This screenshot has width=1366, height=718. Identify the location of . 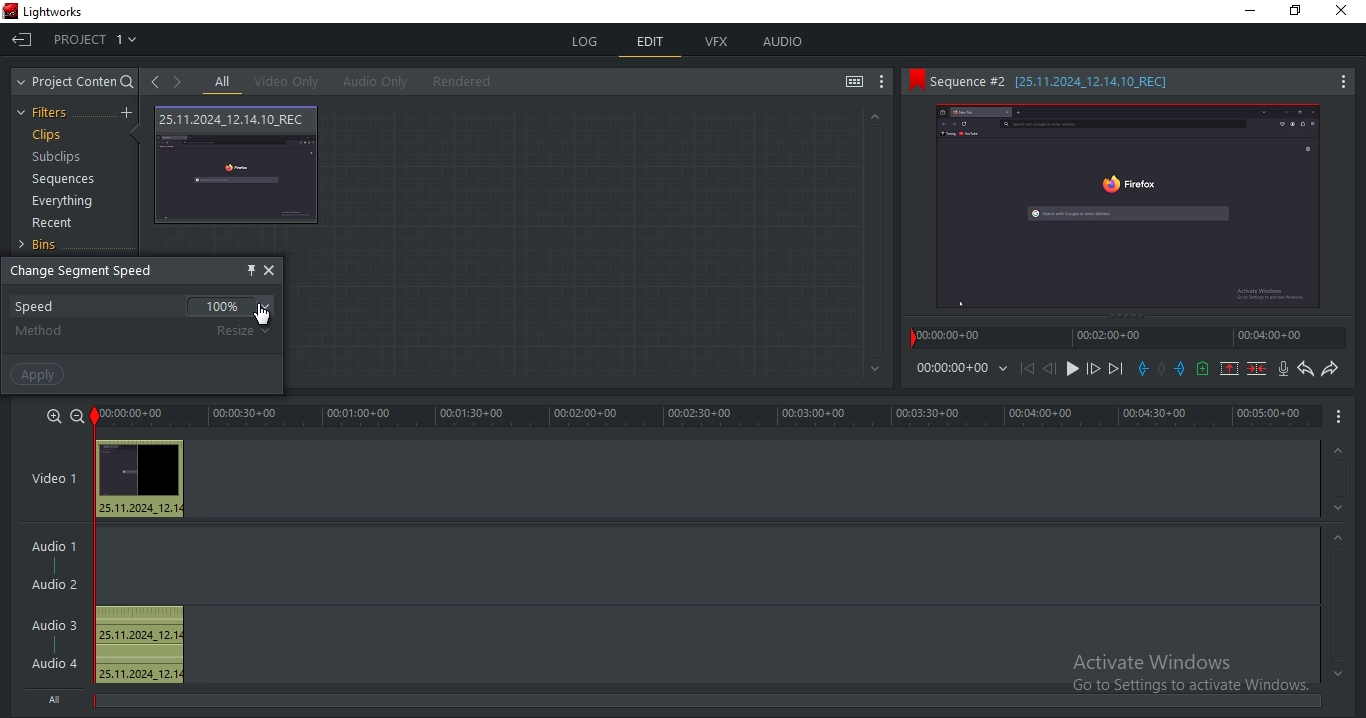
(1041, 370).